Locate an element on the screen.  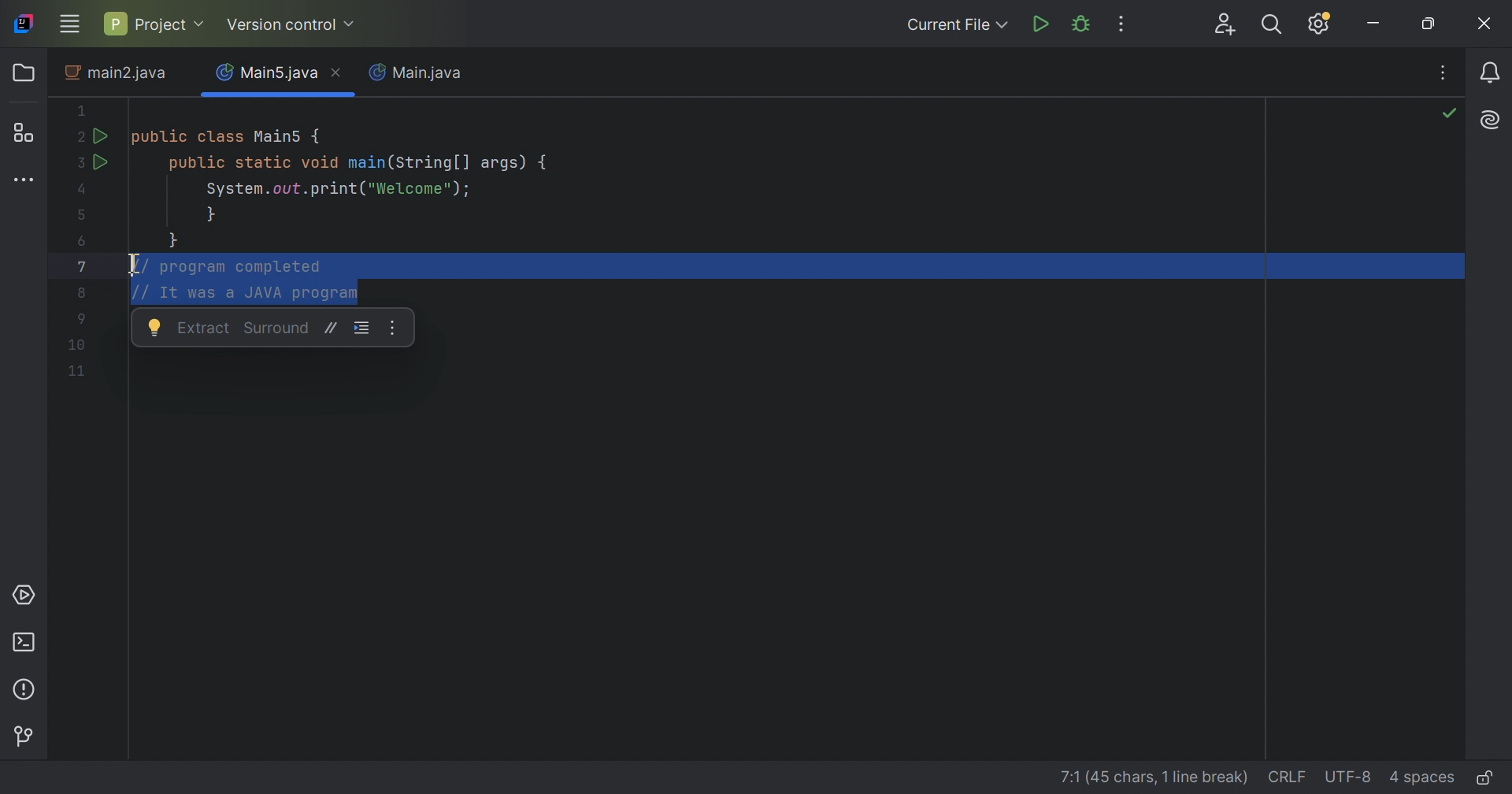
Debug is located at coordinates (1083, 24).